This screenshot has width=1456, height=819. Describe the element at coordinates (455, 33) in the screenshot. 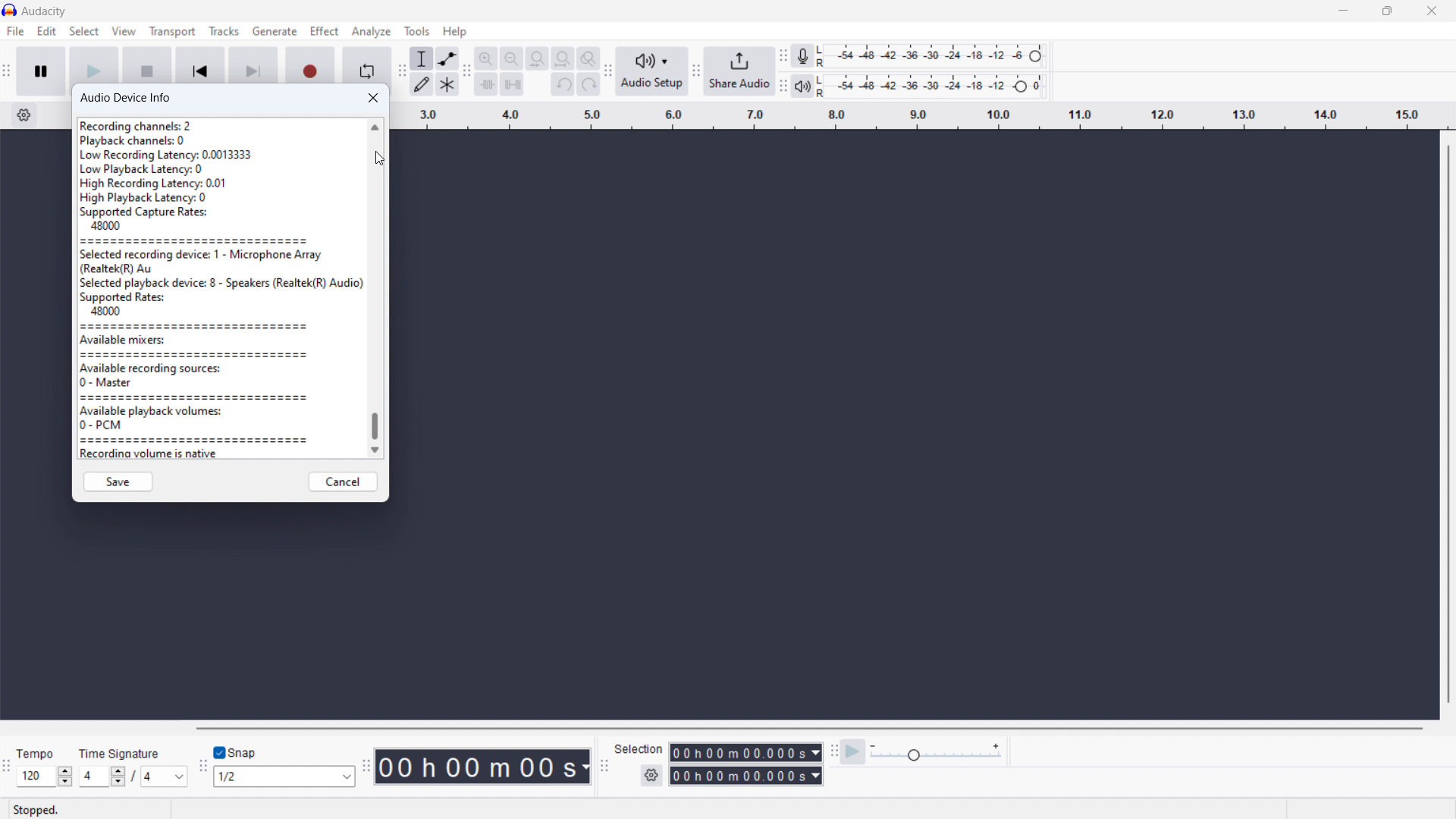

I see `Cursor on help` at that location.